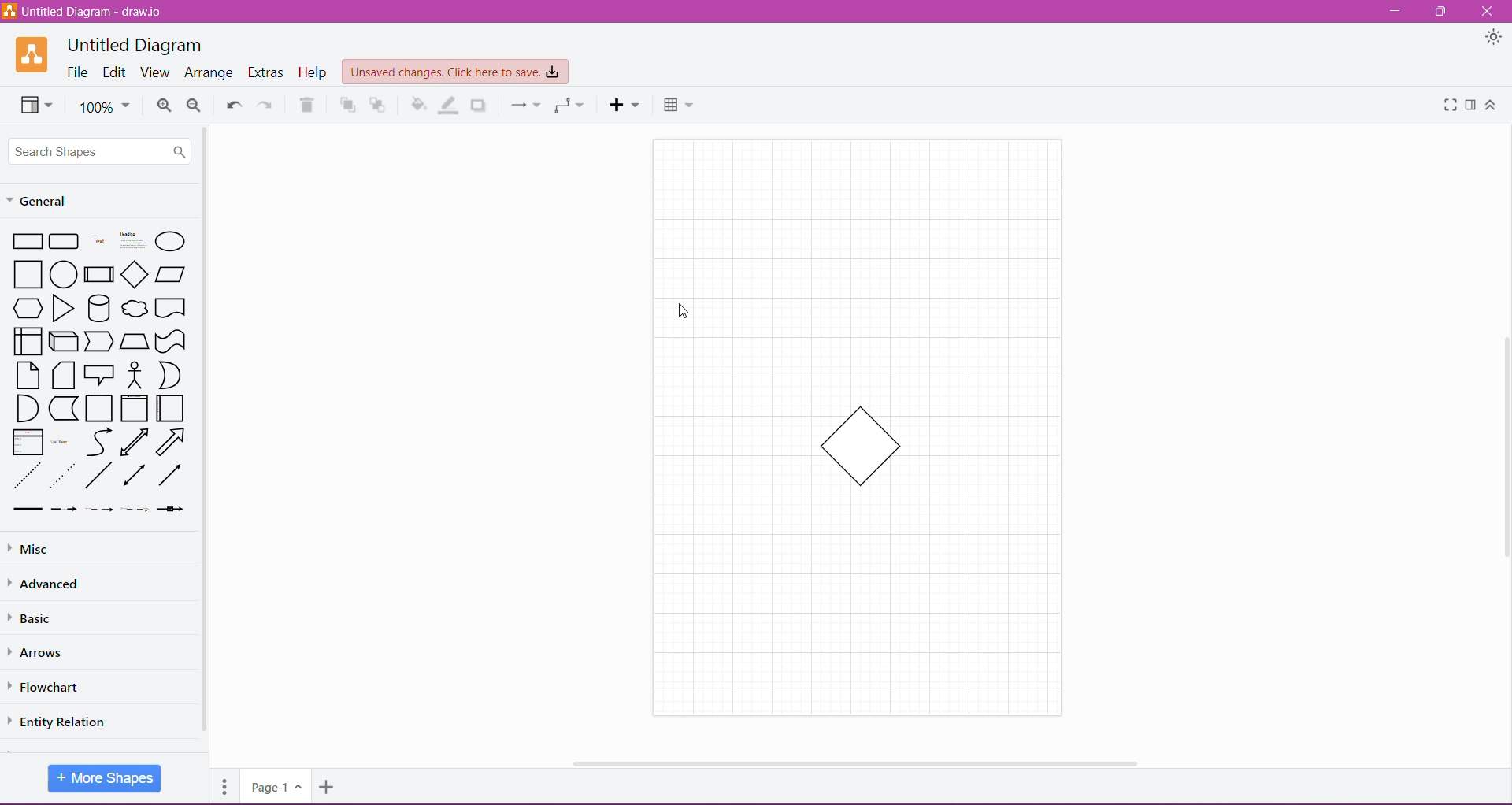 Image resolution: width=1512 pixels, height=805 pixels. I want to click on Zoom, so click(106, 107).